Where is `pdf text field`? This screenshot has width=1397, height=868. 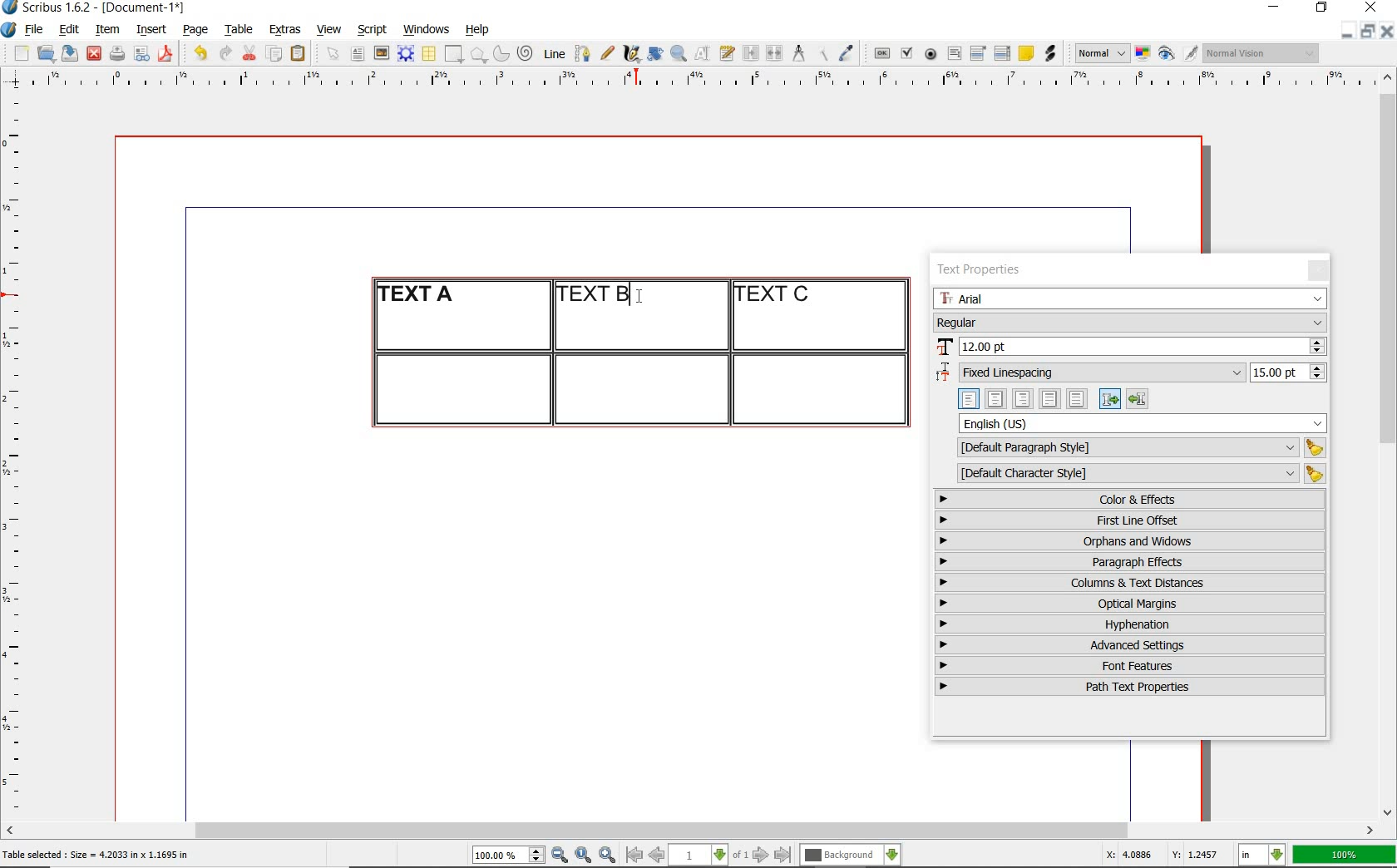 pdf text field is located at coordinates (954, 55).